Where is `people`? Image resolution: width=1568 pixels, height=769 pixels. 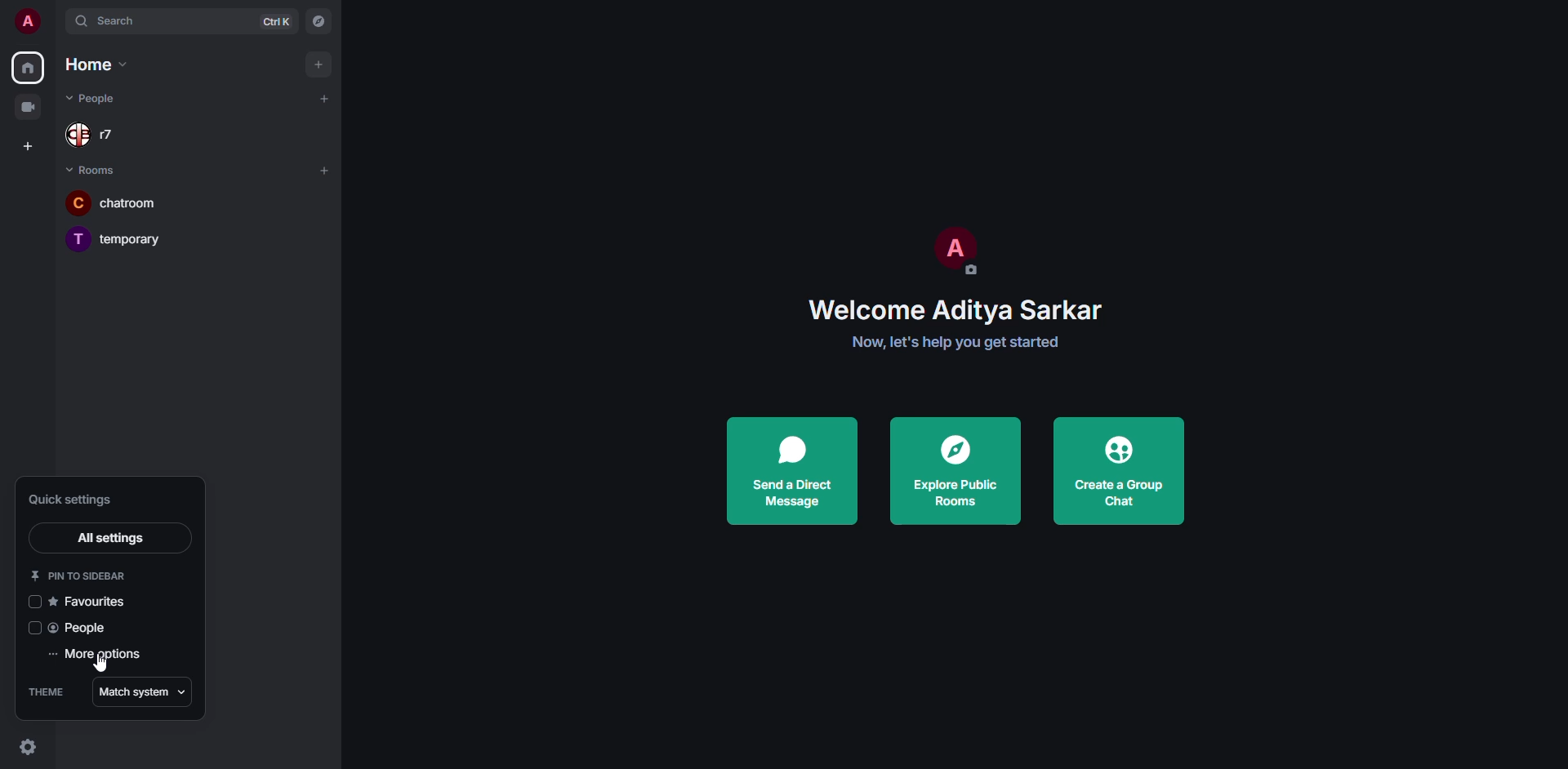
people is located at coordinates (100, 98).